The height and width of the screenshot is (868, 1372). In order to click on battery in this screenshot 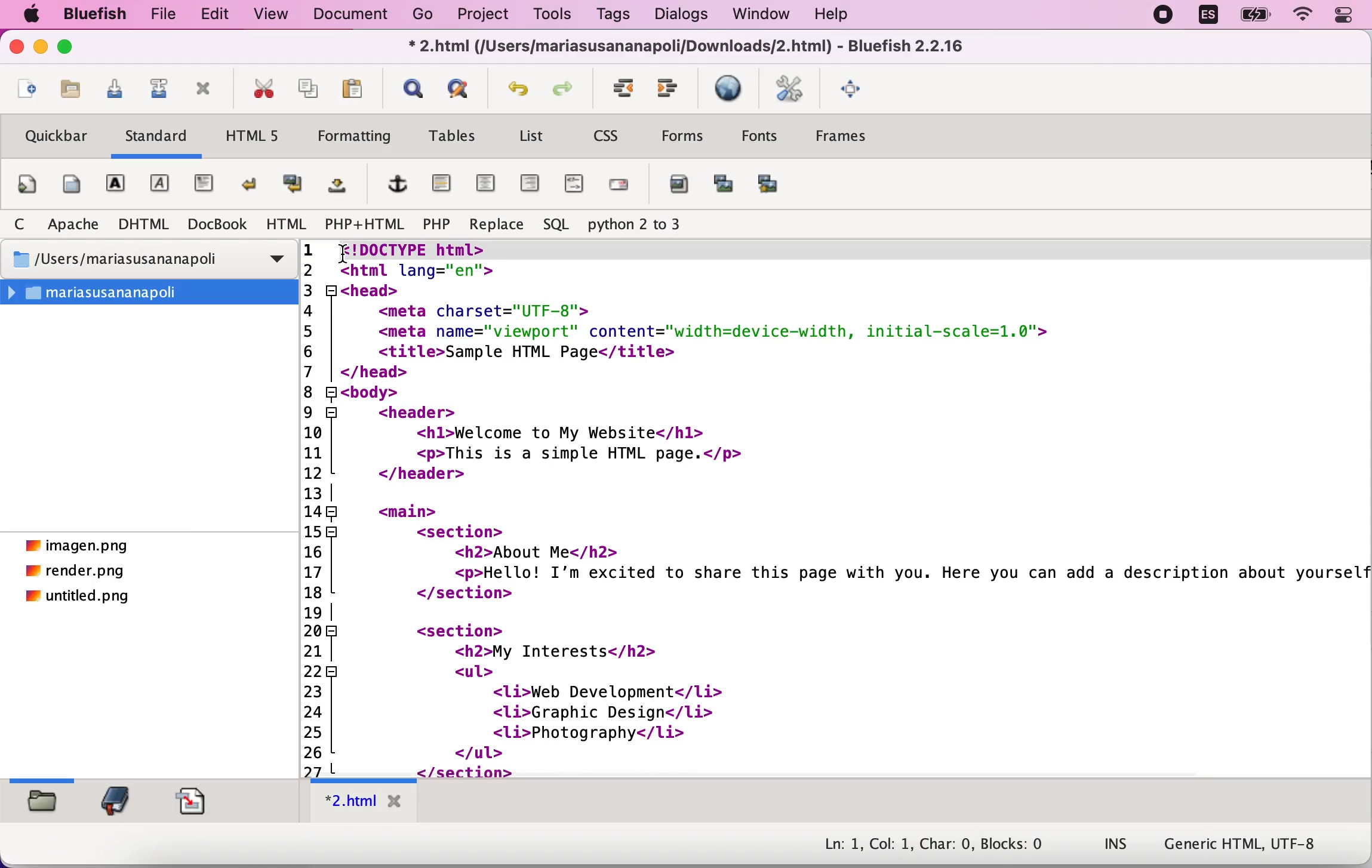, I will do `click(1256, 18)`.